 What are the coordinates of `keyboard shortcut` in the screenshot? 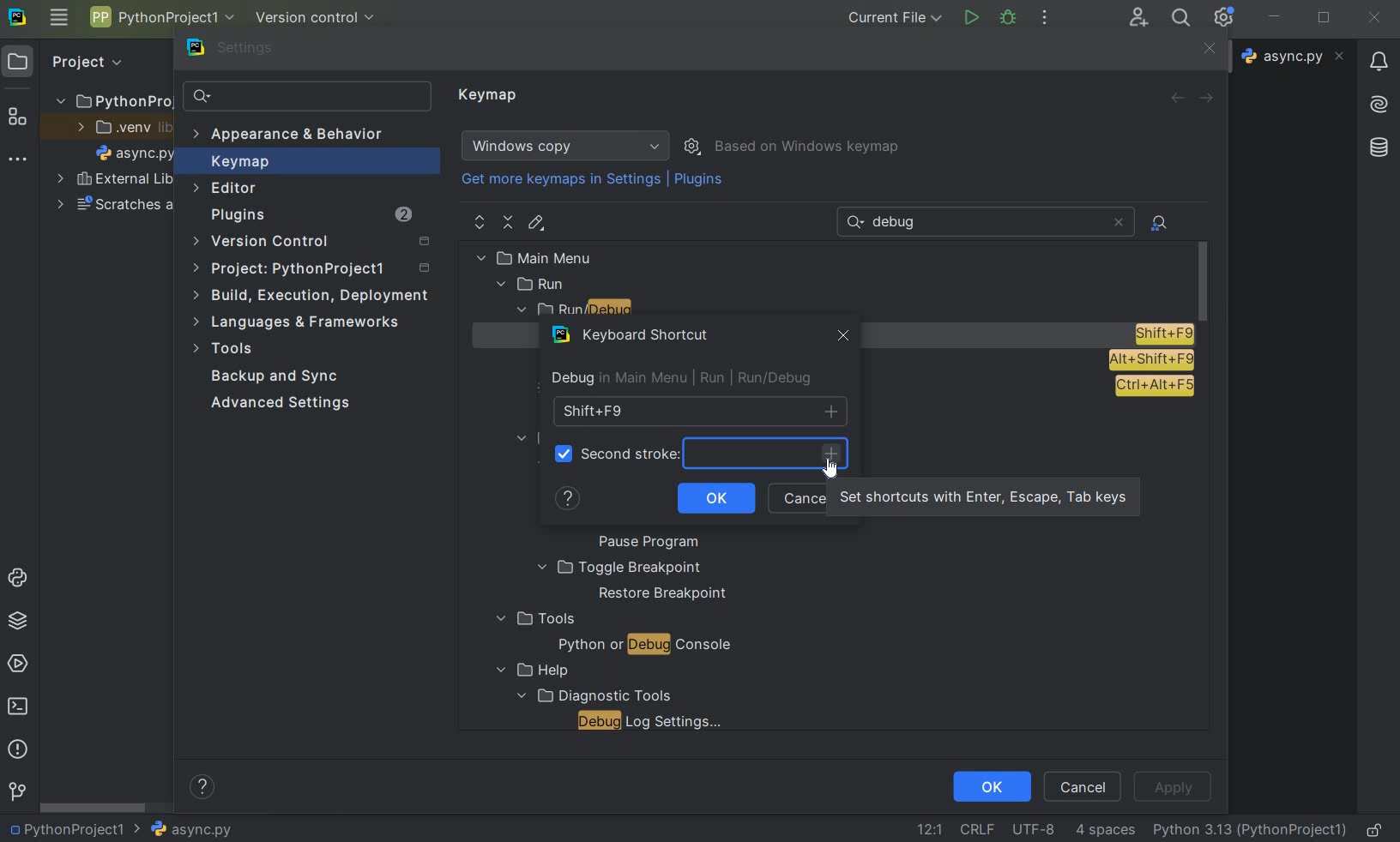 It's located at (634, 338).